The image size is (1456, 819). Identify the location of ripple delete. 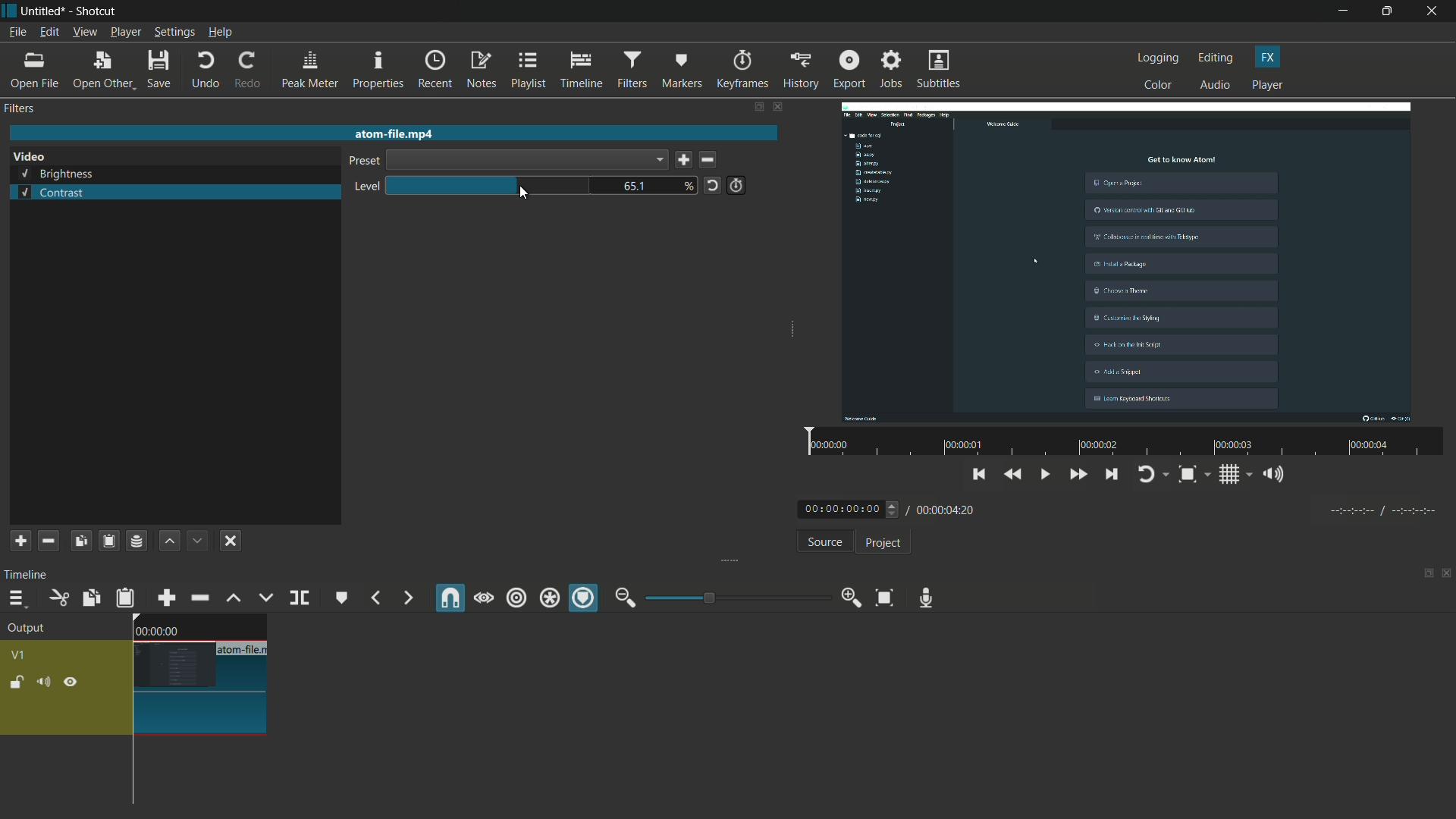
(199, 598).